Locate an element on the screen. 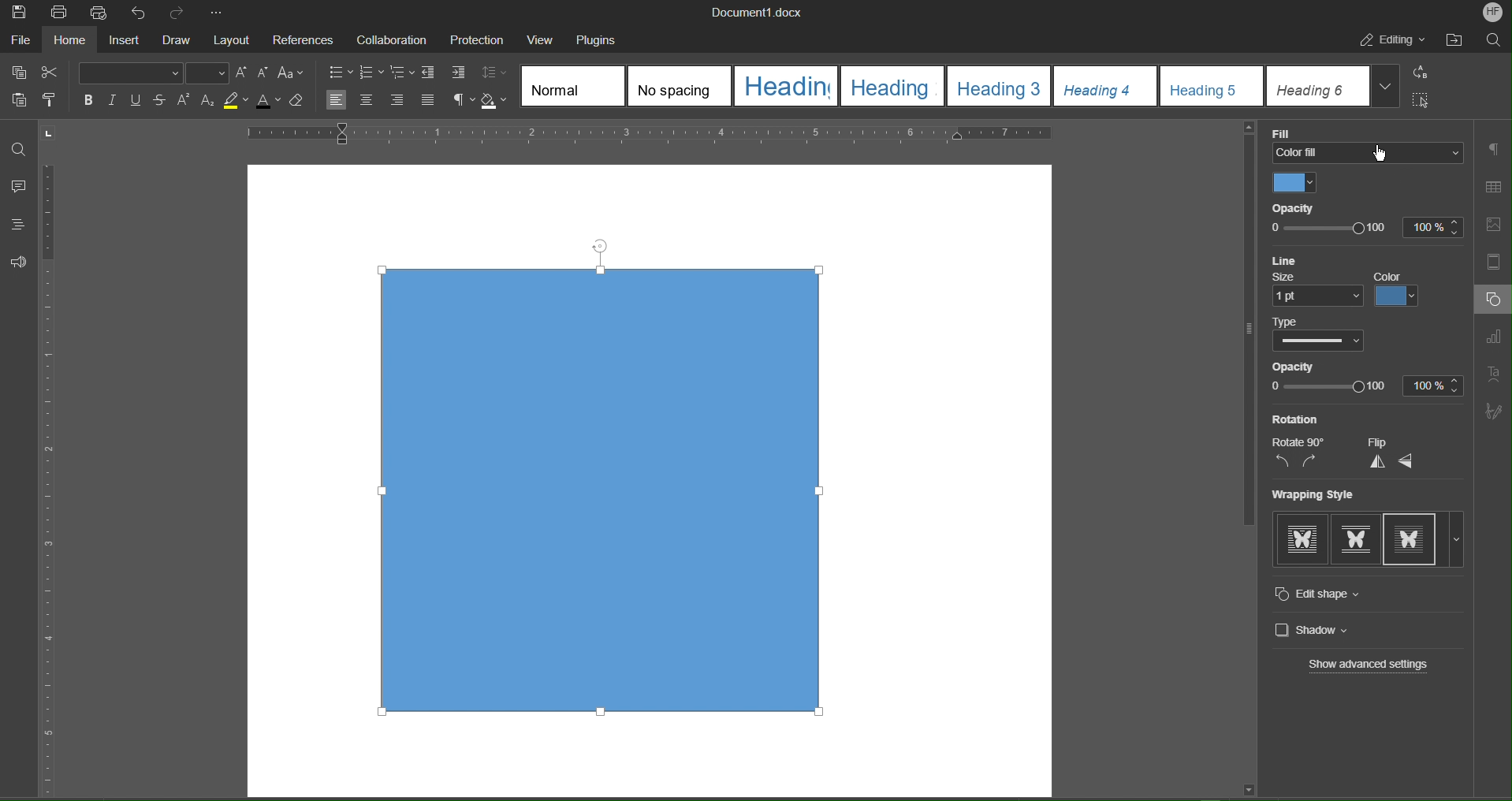 The width and height of the screenshot is (1512, 801). Picker is located at coordinates (1317, 341).